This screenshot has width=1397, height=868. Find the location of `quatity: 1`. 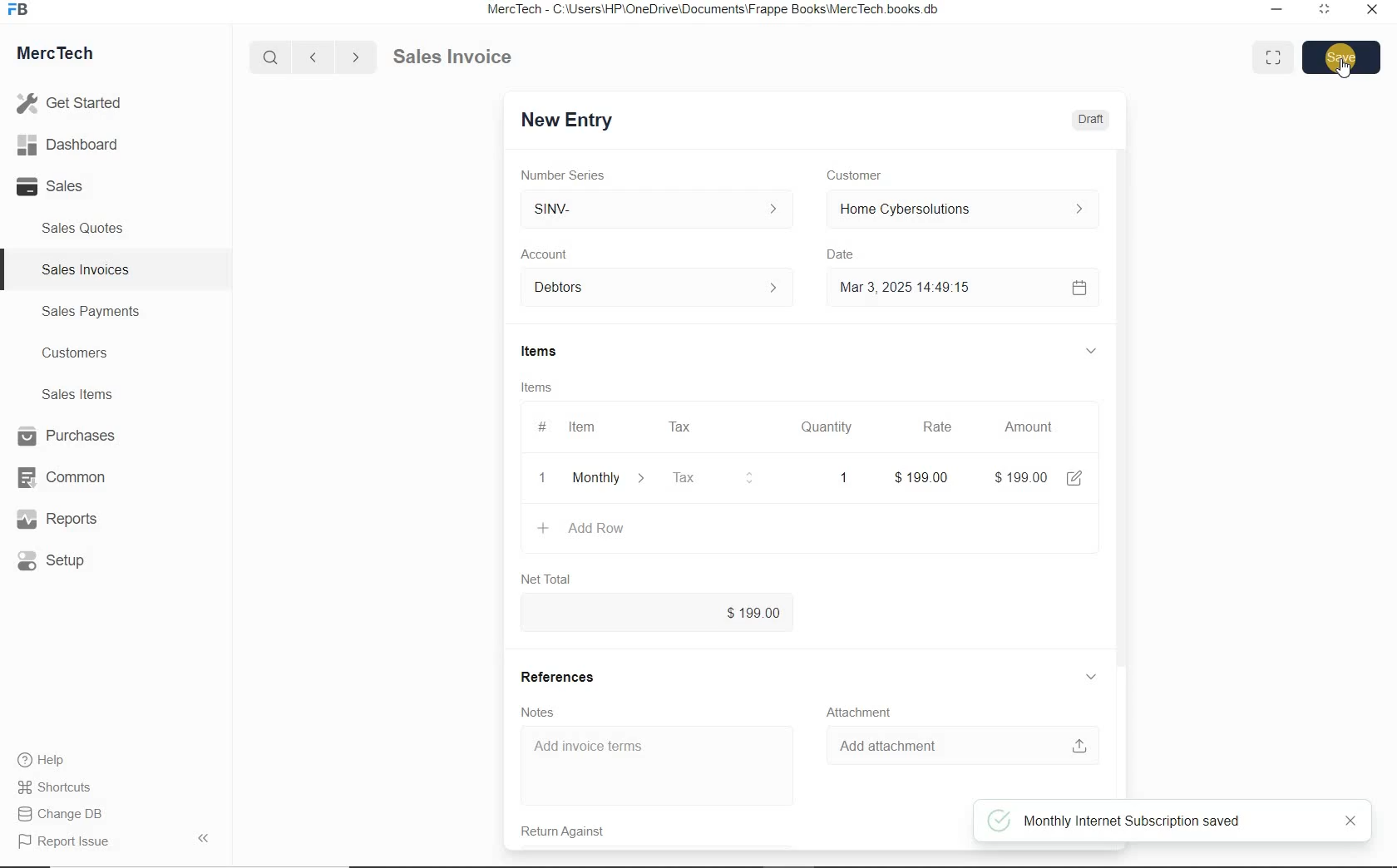

quatity: 1 is located at coordinates (840, 476).